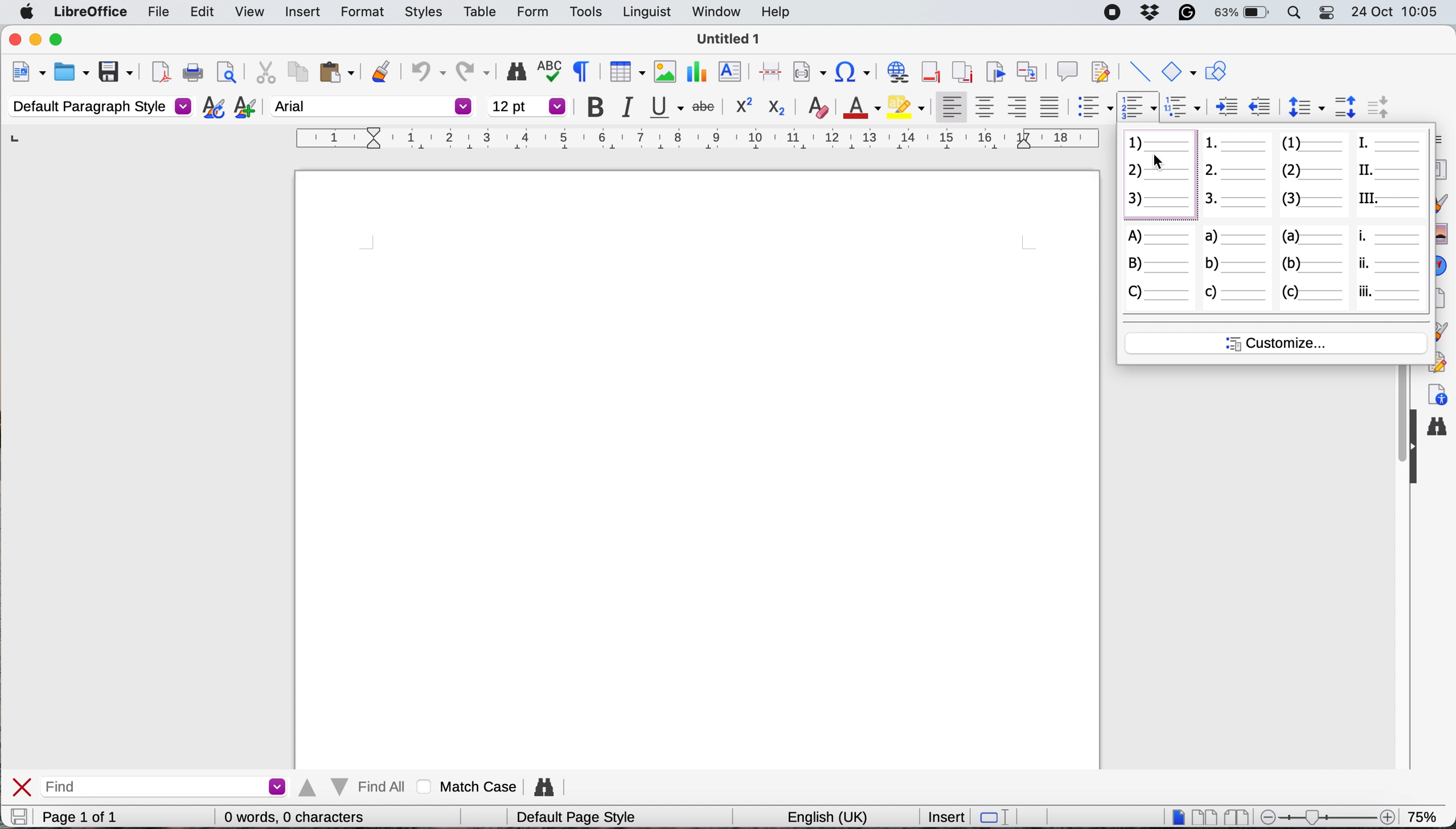 The width and height of the screenshot is (1456, 829). What do you see at coordinates (427, 69) in the screenshot?
I see `undo` at bounding box center [427, 69].